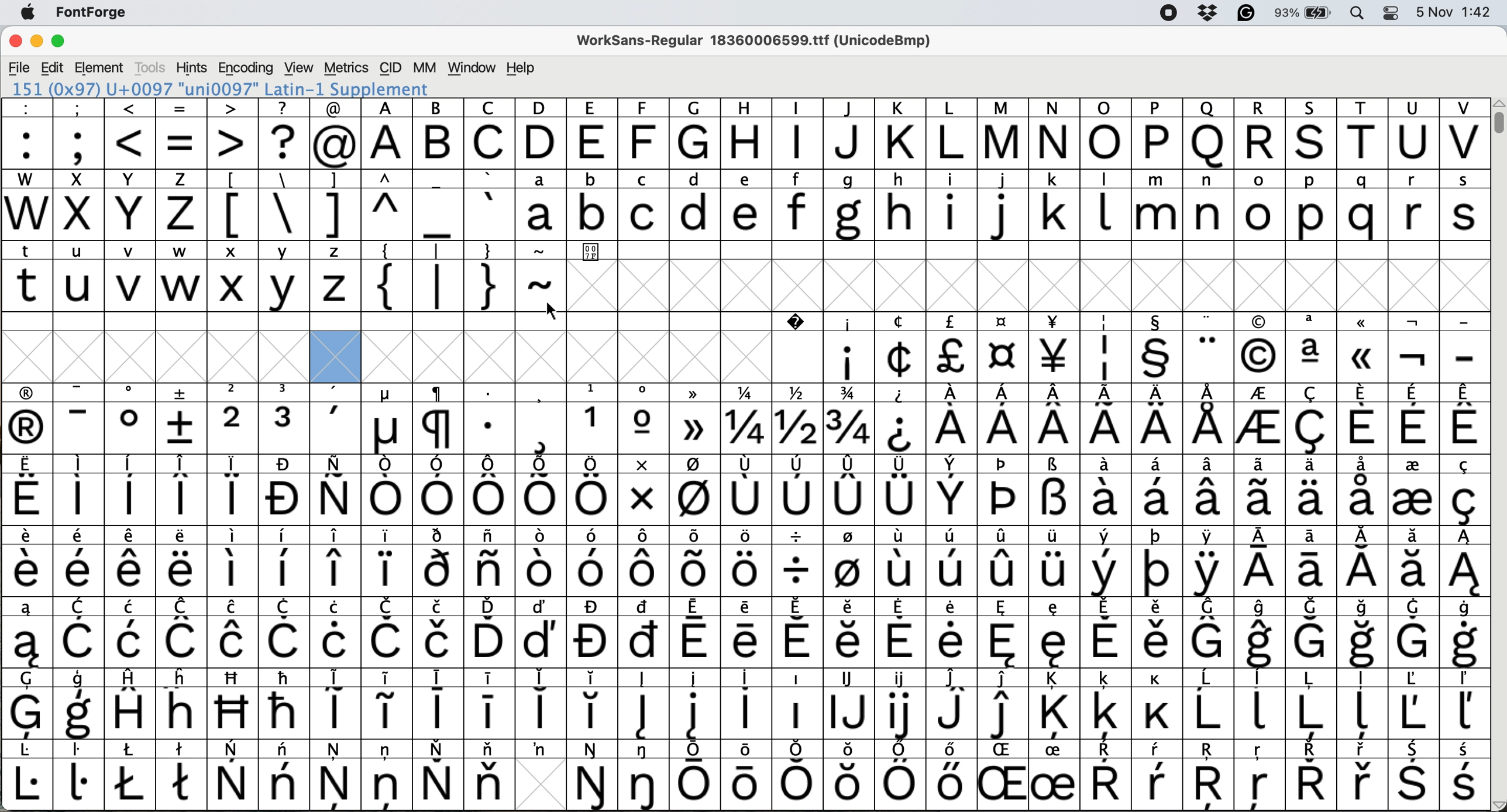 The image size is (1507, 812). What do you see at coordinates (1156, 561) in the screenshot?
I see `symbol` at bounding box center [1156, 561].